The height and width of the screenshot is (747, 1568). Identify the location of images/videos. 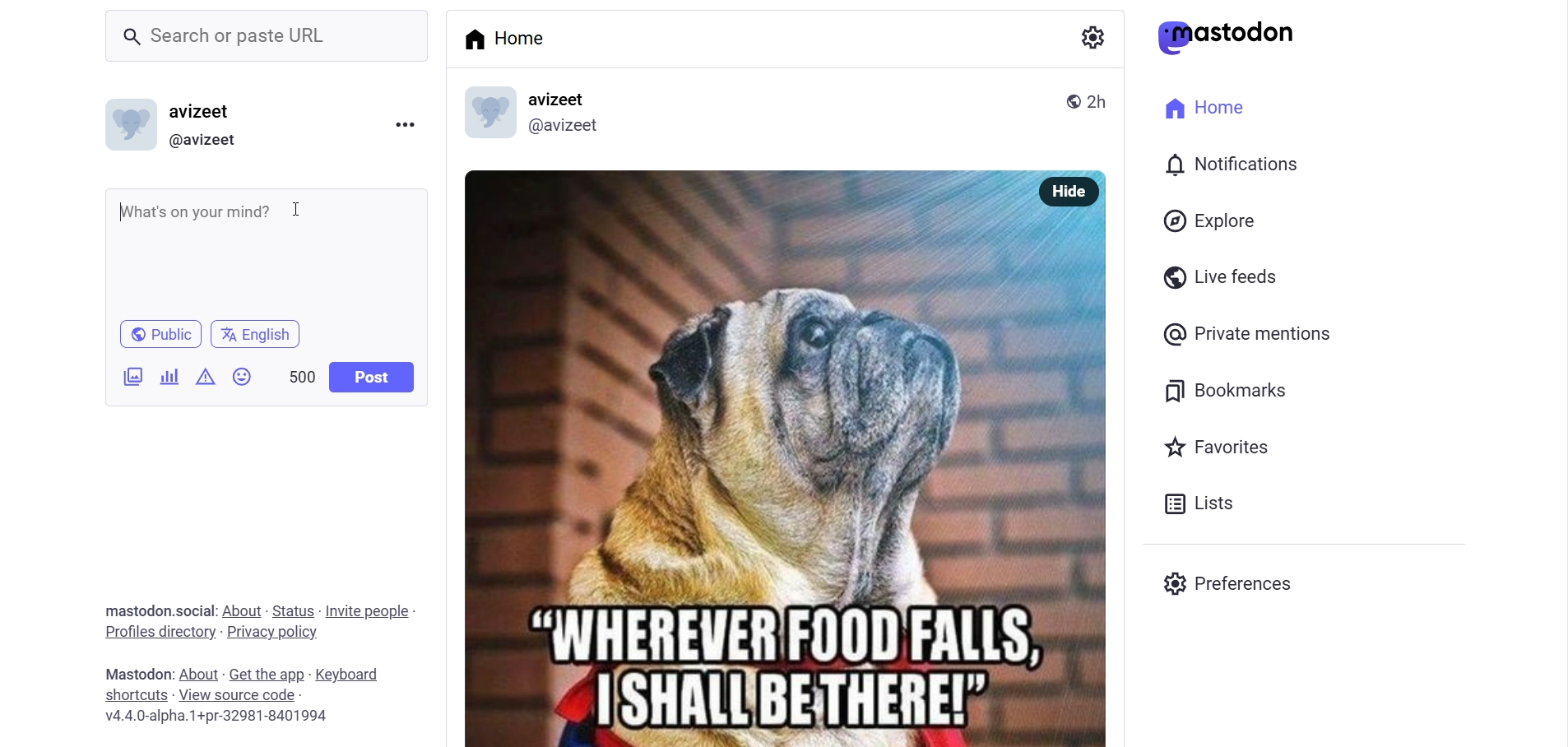
(128, 378).